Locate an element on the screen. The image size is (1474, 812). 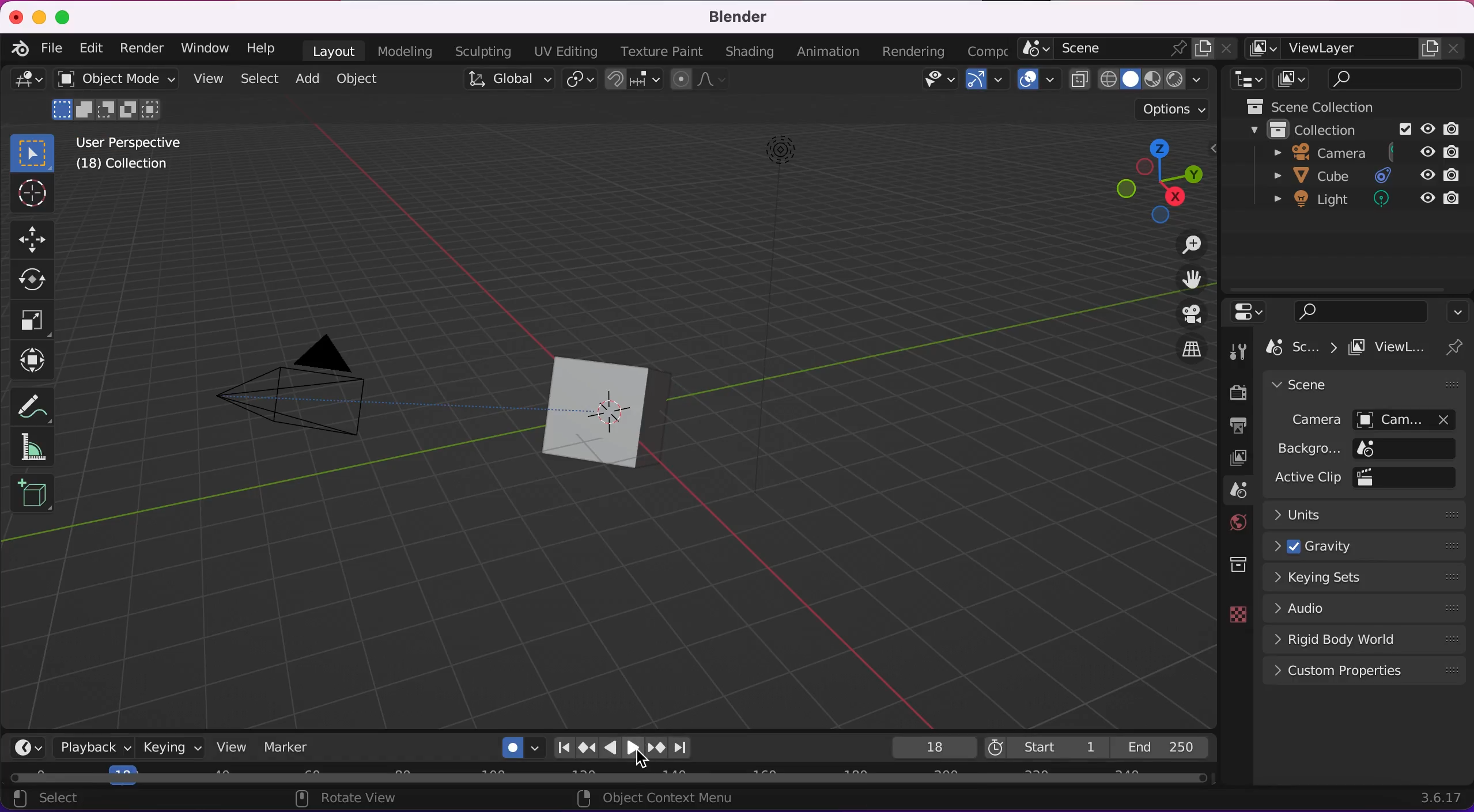
collections is located at coordinates (1234, 565).